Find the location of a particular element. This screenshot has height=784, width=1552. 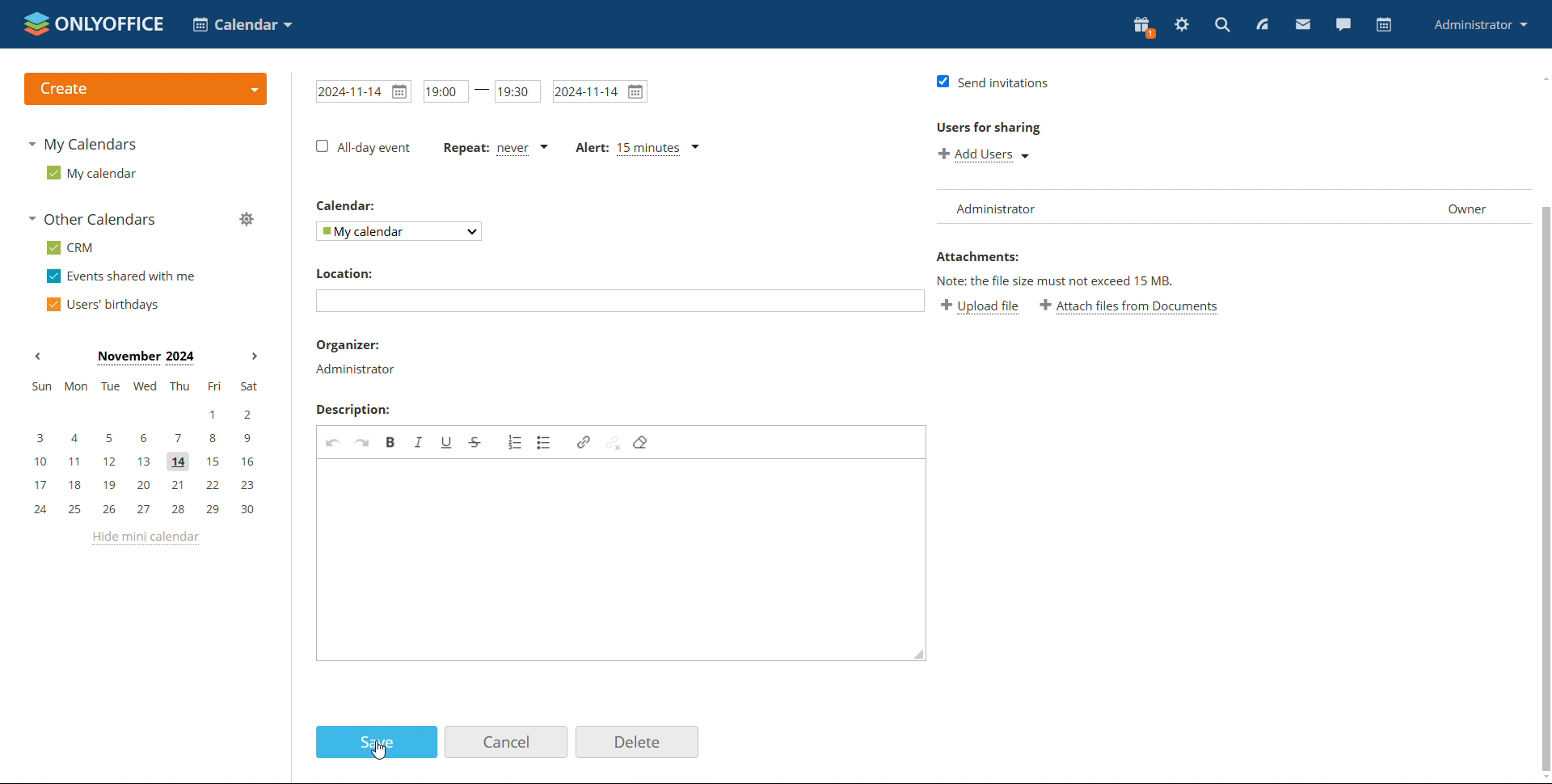

my calendar is located at coordinates (92, 173).